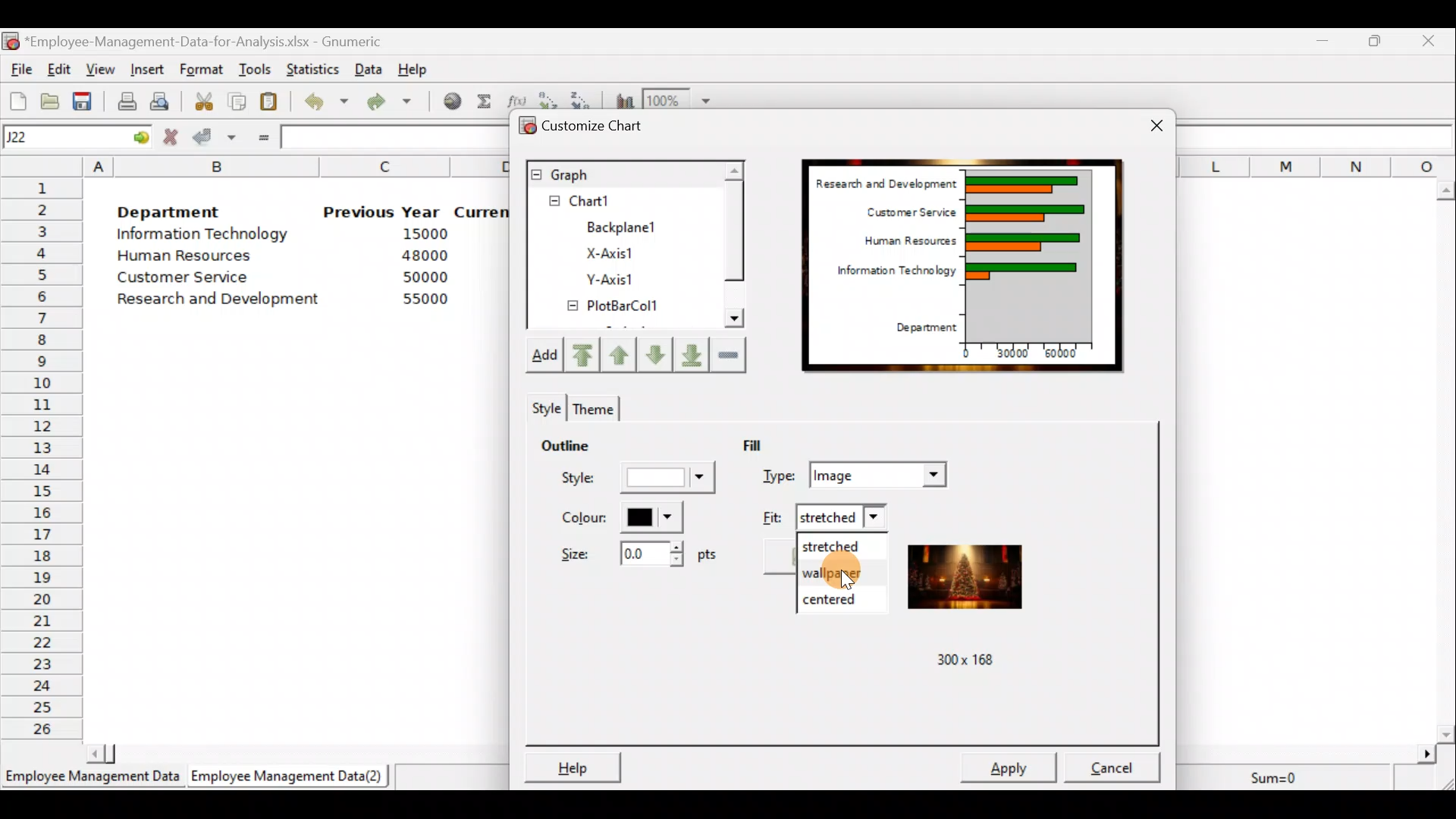 The height and width of the screenshot is (819, 1456). I want to click on Information Technology, so click(203, 237).